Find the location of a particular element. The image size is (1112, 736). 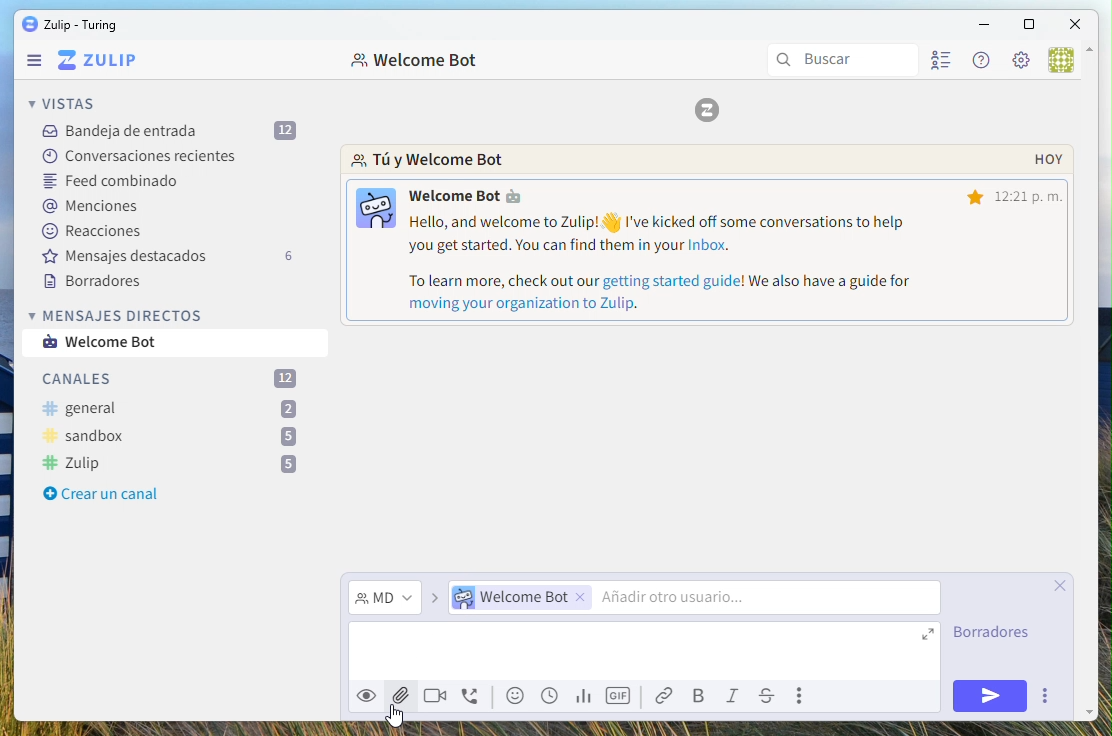

Sandbox is located at coordinates (171, 437).